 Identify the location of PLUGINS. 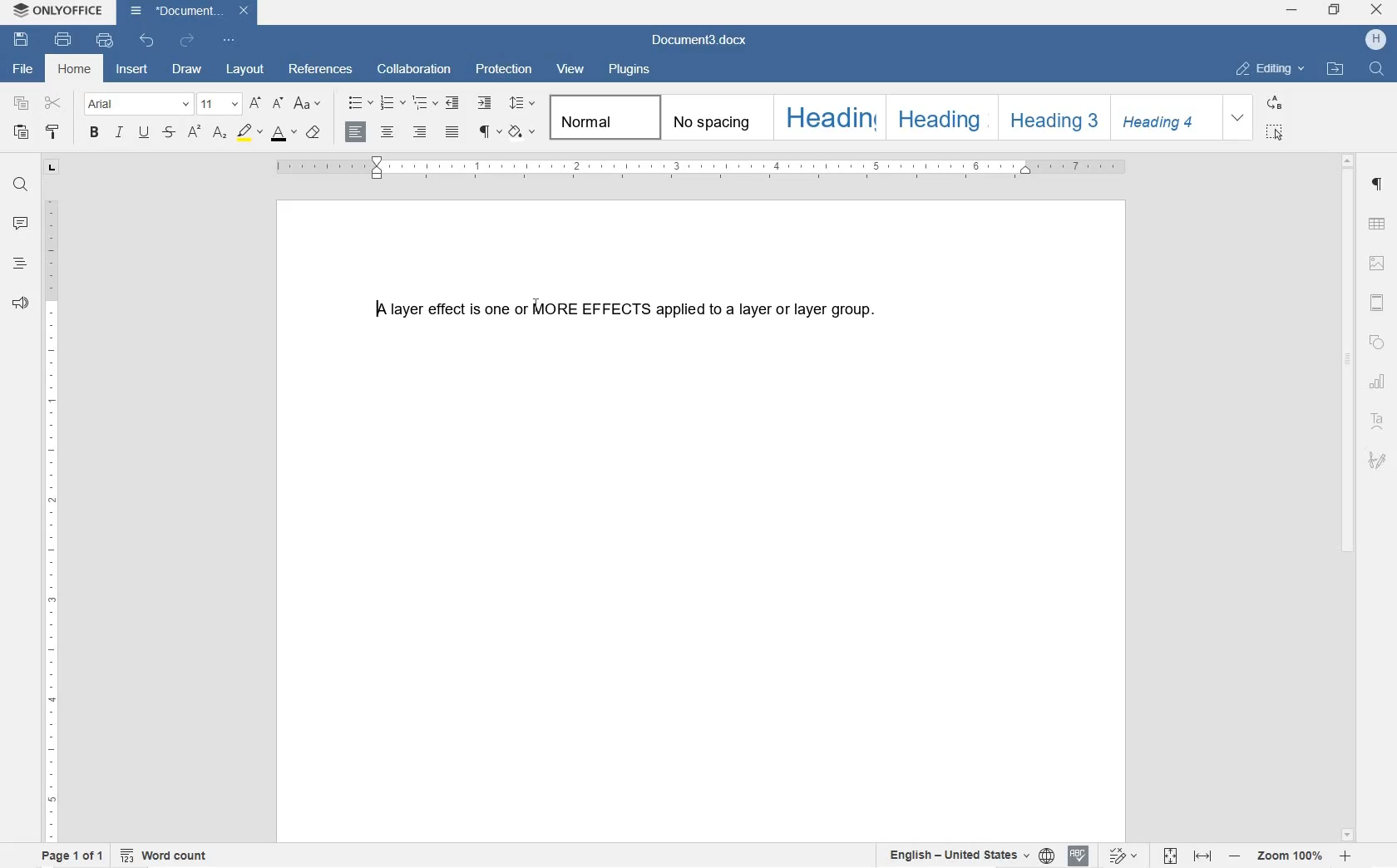
(629, 71).